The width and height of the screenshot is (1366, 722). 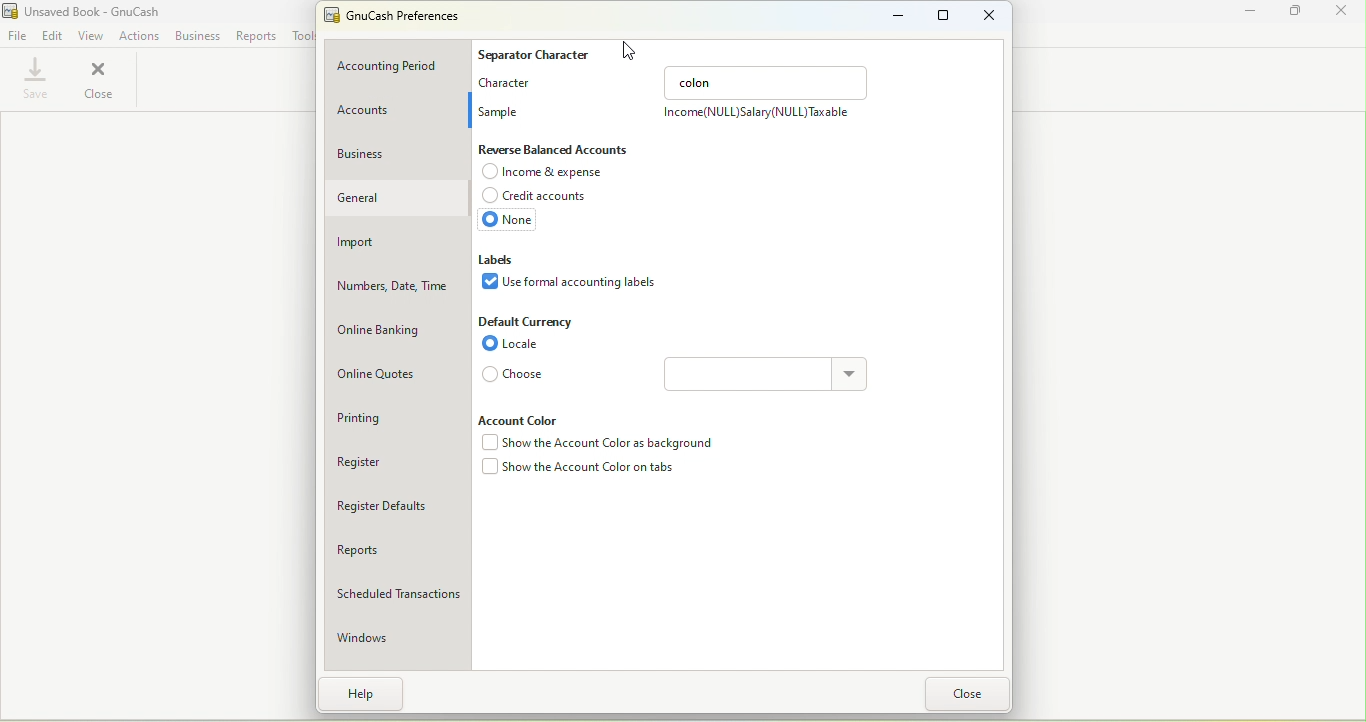 I want to click on Text box, so click(x=742, y=375).